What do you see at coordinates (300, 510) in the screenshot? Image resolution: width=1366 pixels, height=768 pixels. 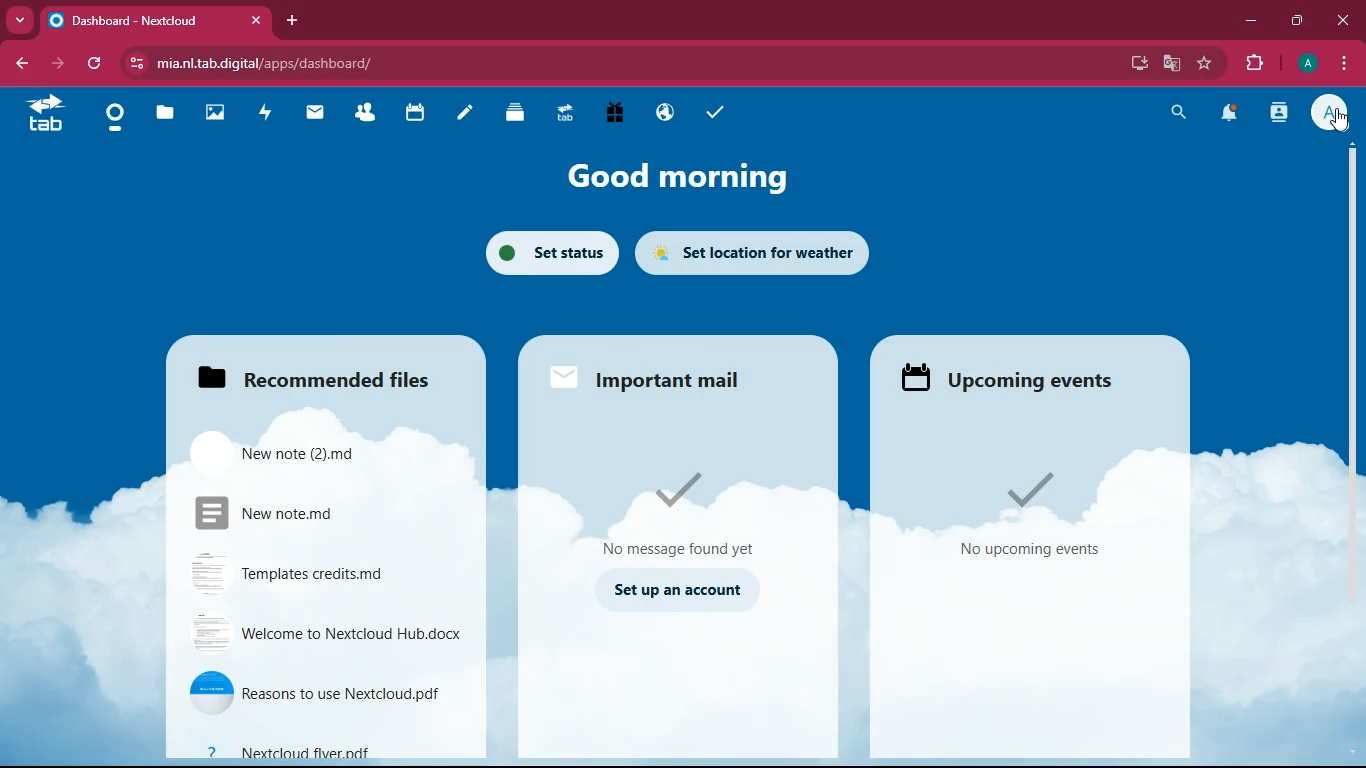 I see `file` at bounding box center [300, 510].